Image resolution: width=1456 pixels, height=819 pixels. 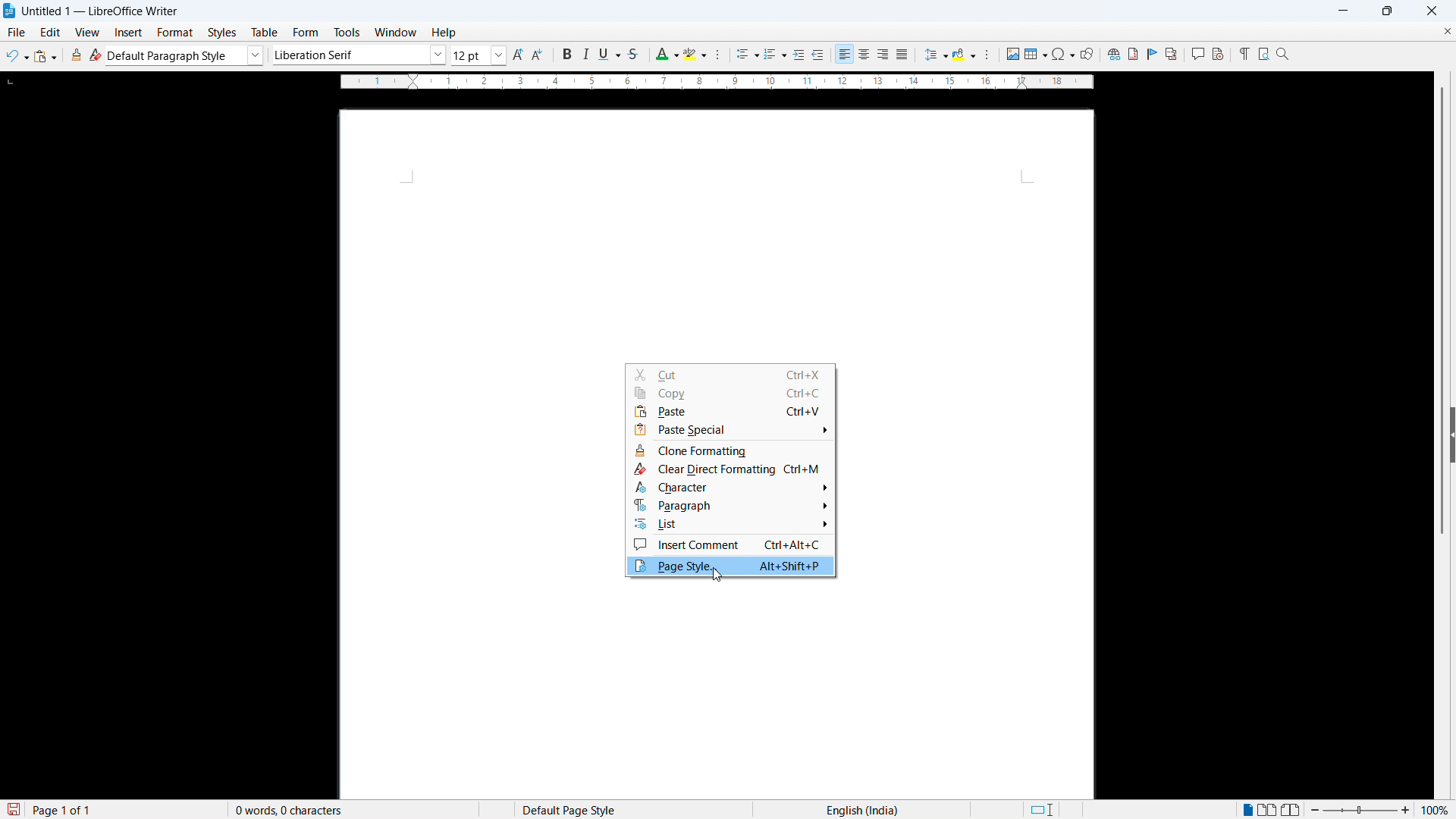 I want to click on save , so click(x=12, y=810).